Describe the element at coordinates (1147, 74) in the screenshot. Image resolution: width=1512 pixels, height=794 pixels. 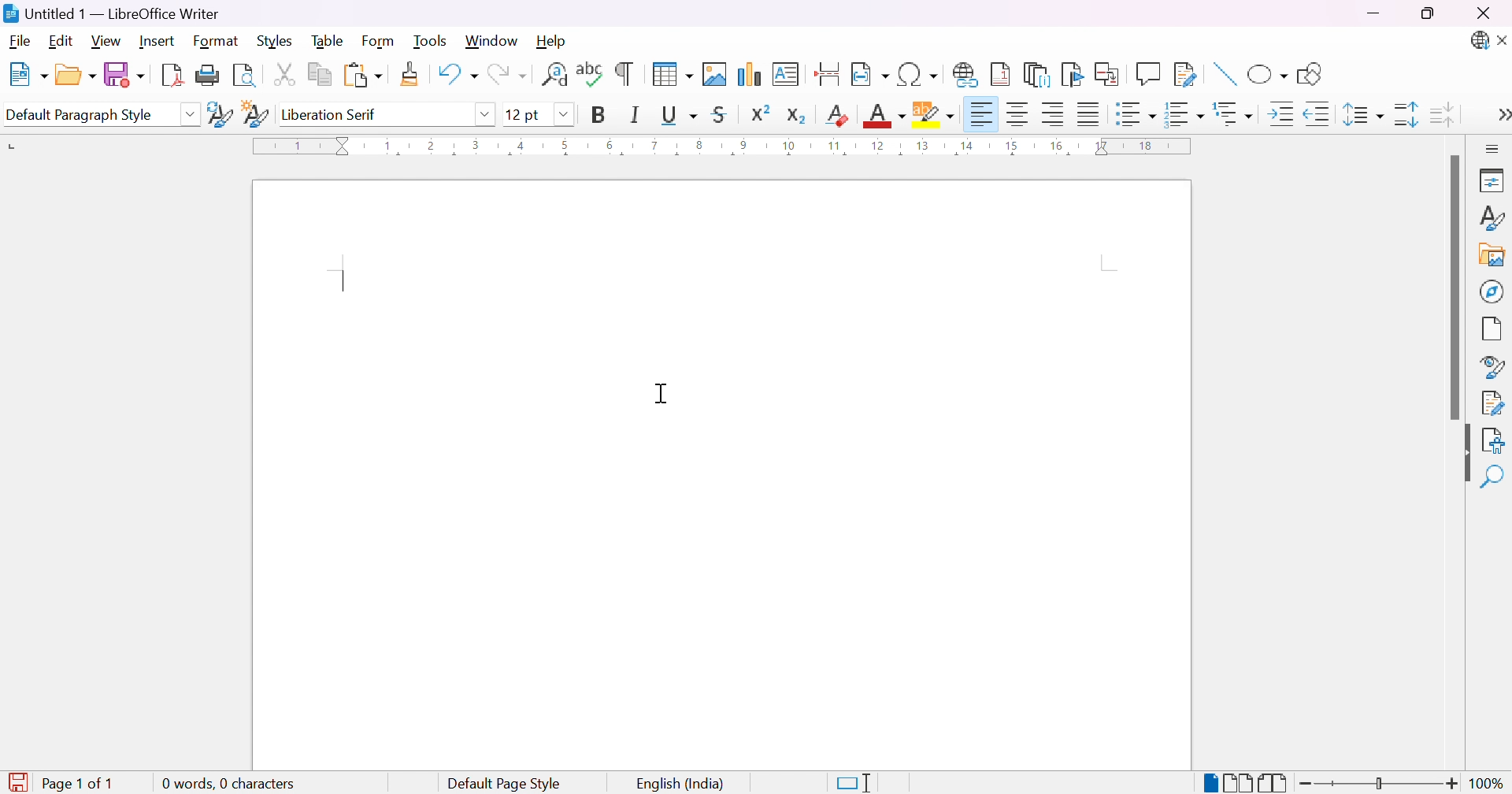
I see `Insert functions` at that location.